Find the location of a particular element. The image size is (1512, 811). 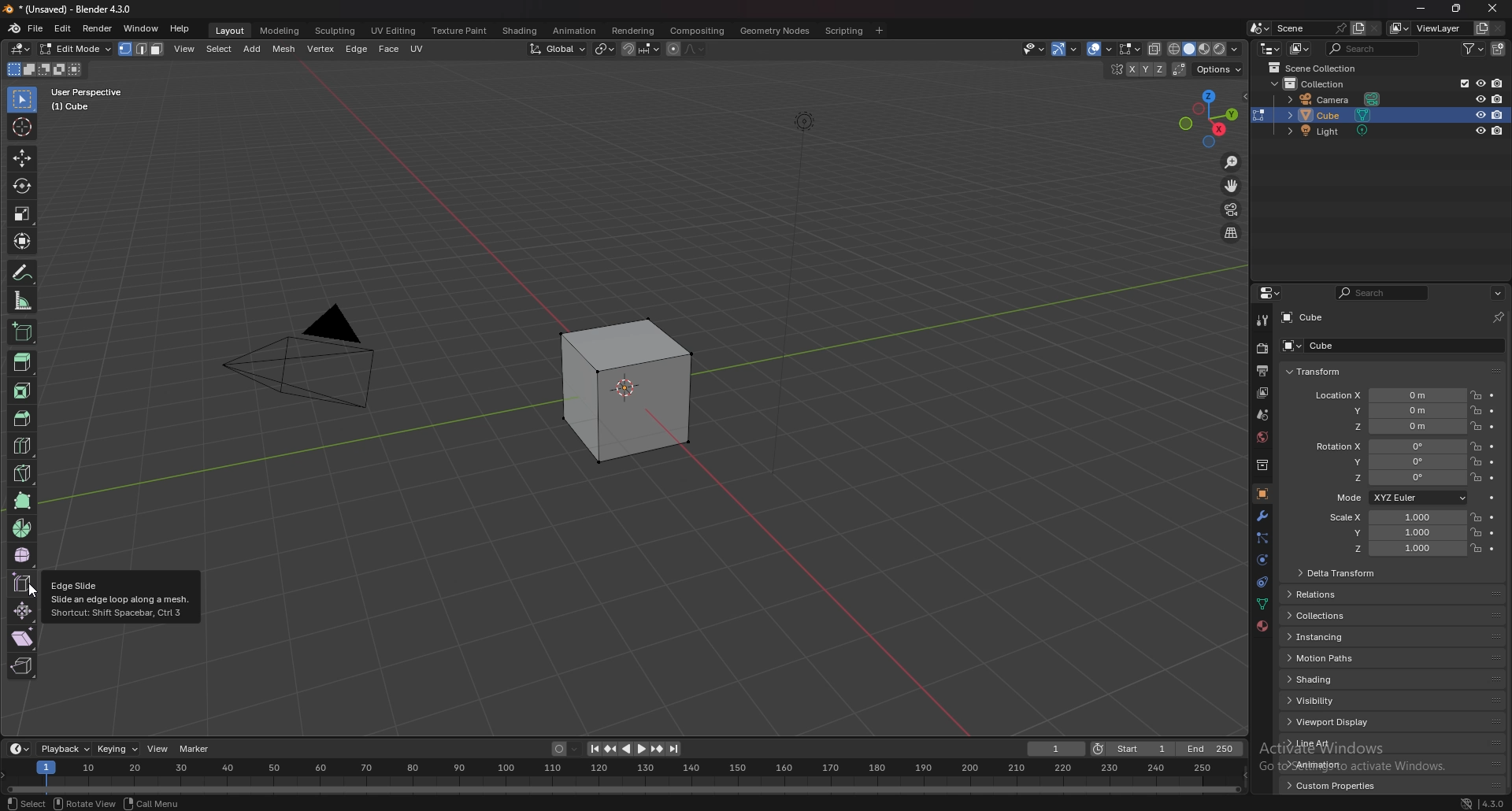

cursor is located at coordinates (22, 127).